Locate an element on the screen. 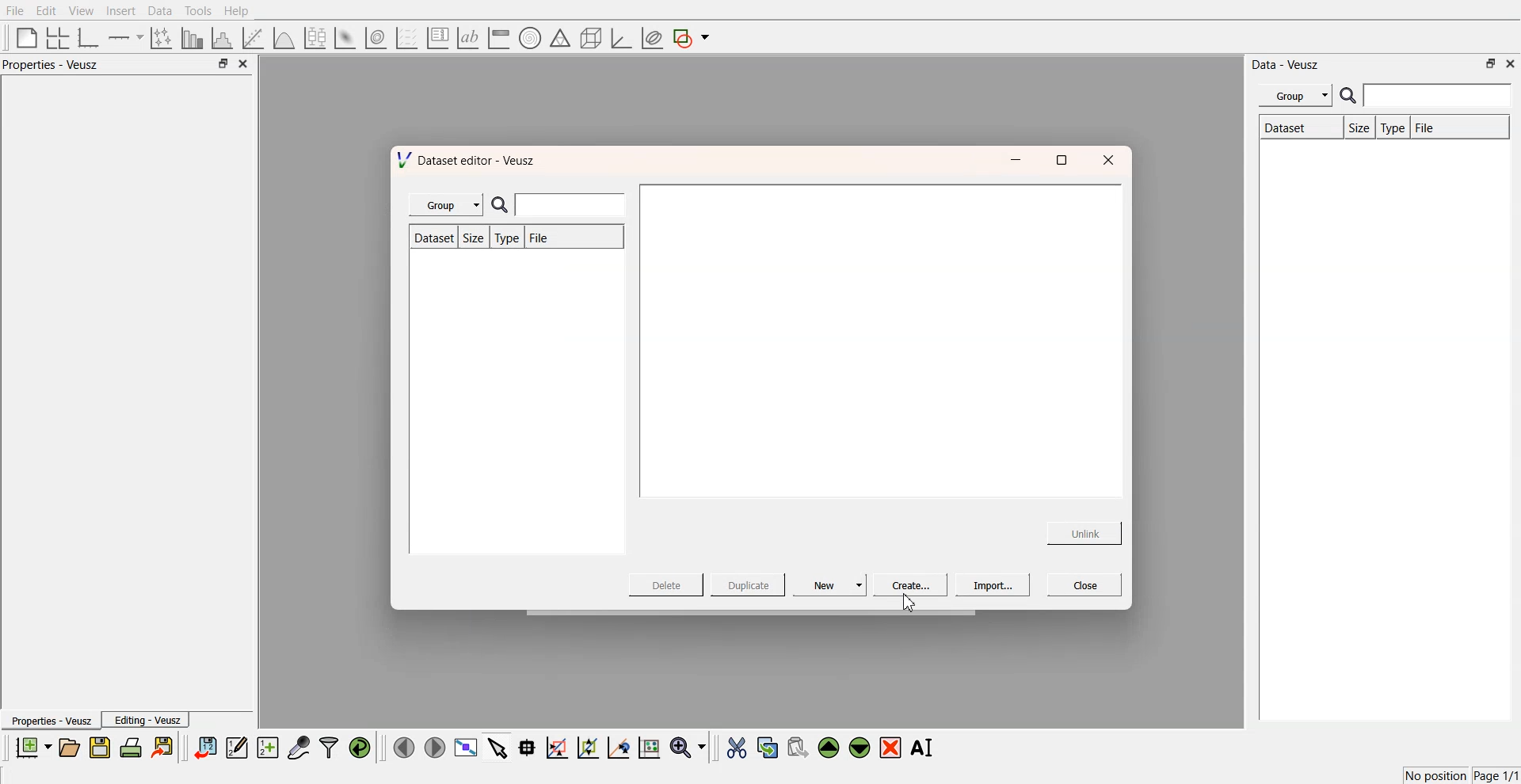 The height and width of the screenshot is (784, 1521). Size is located at coordinates (1359, 129).